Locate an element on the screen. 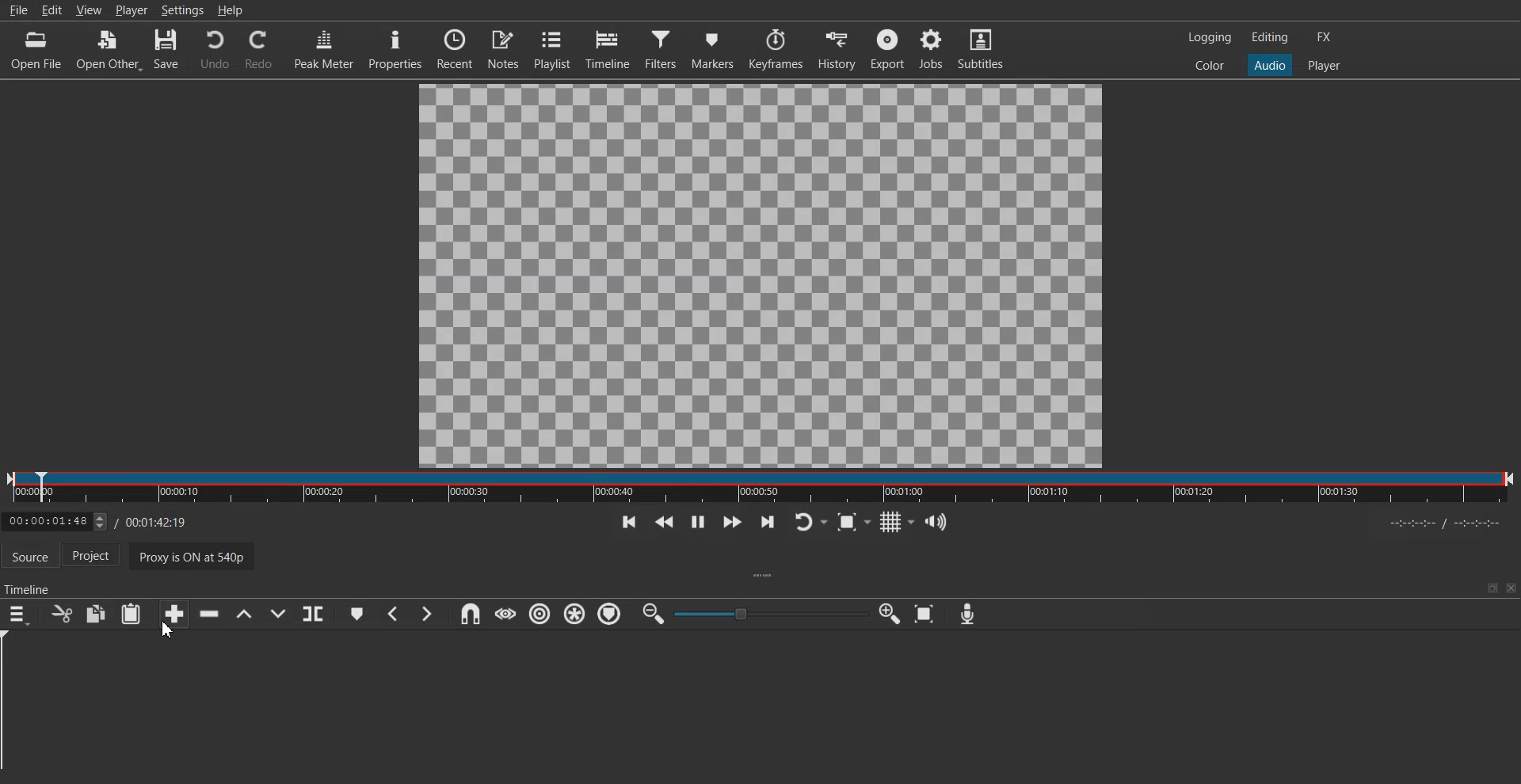 The width and height of the screenshot is (1521, 784). History is located at coordinates (836, 48).